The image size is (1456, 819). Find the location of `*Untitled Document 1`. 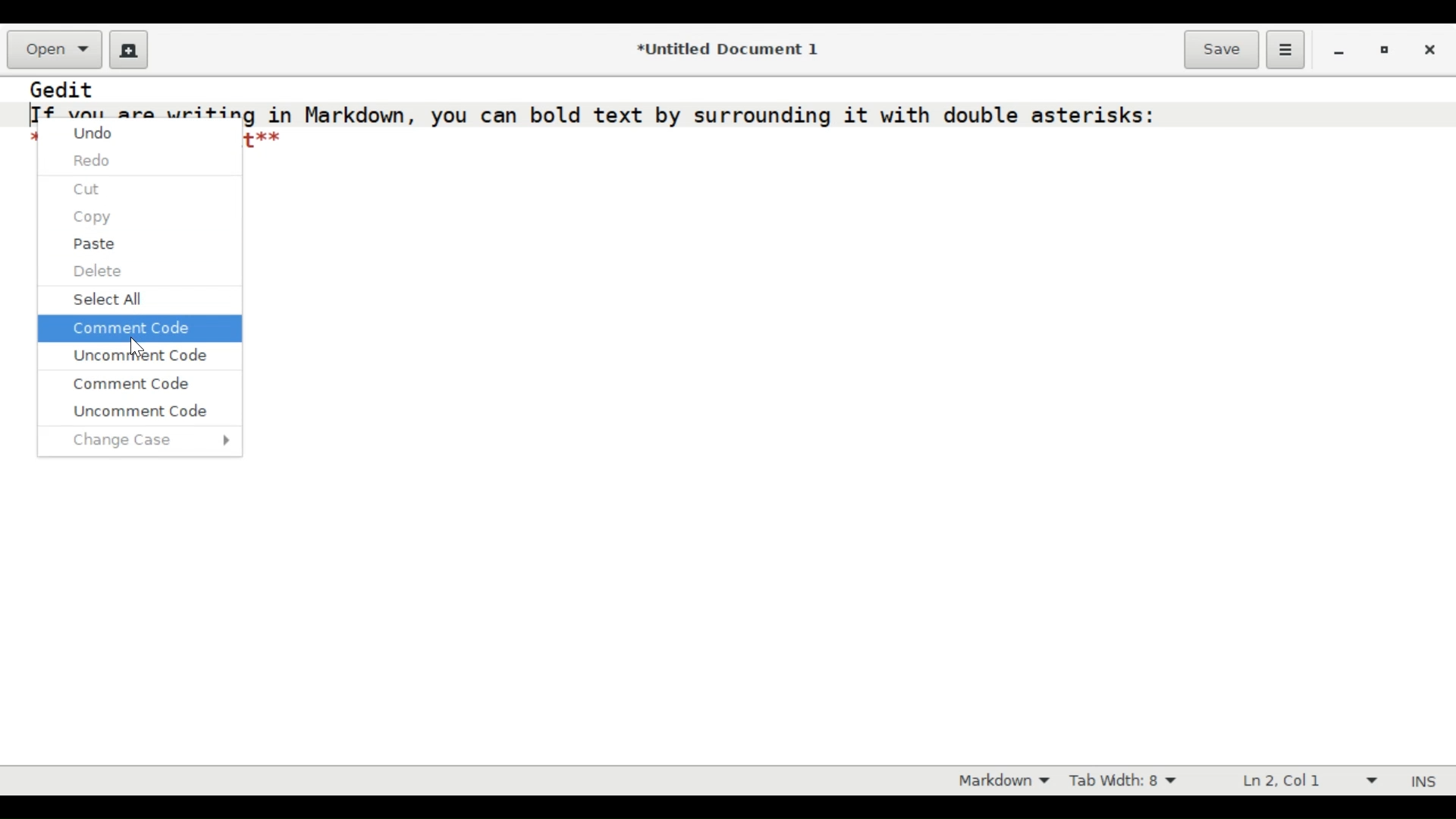

*Untitled Document 1 is located at coordinates (726, 50).